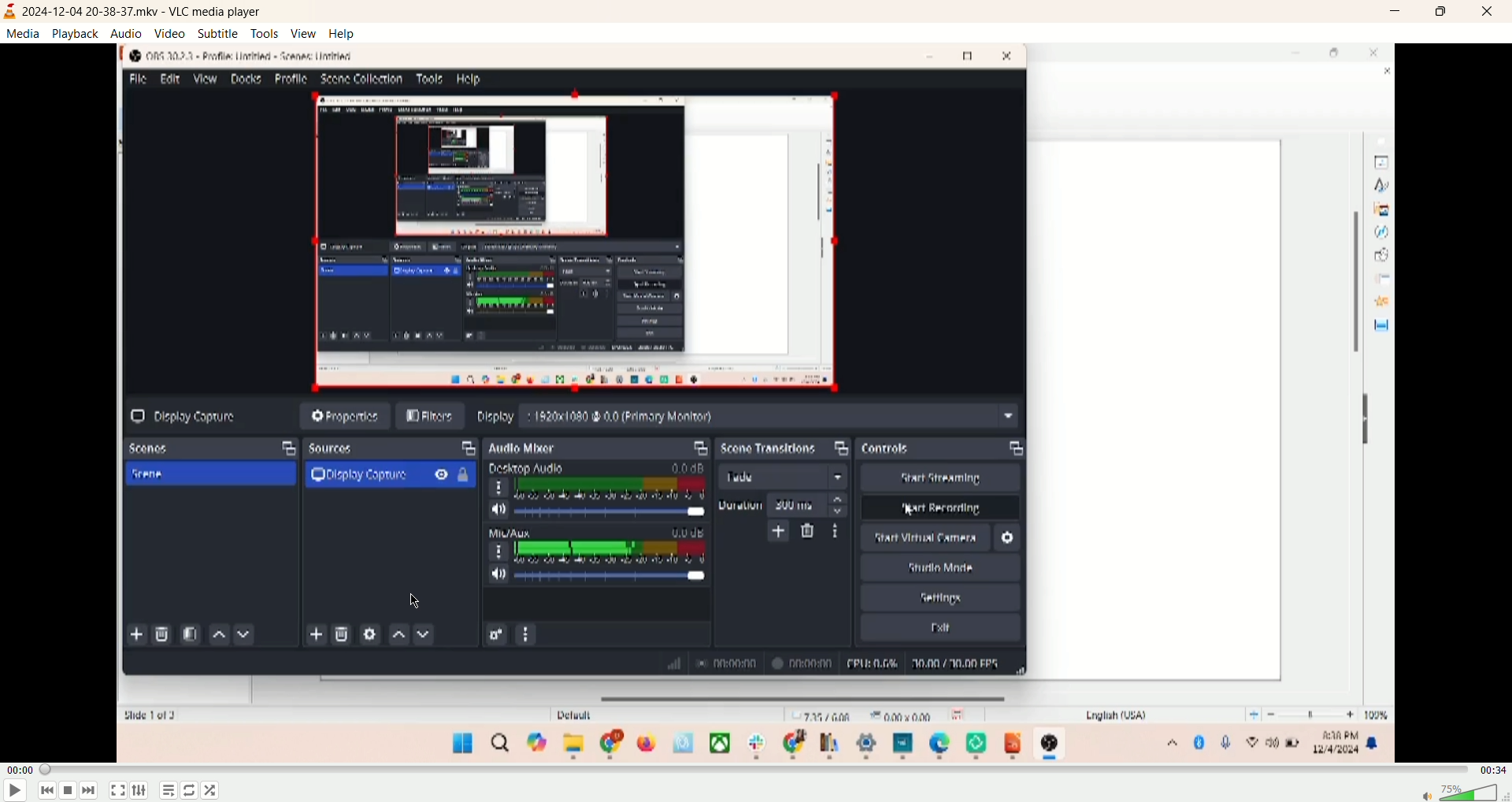 The width and height of the screenshot is (1512, 802). I want to click on progress bar, so click(758, 772).